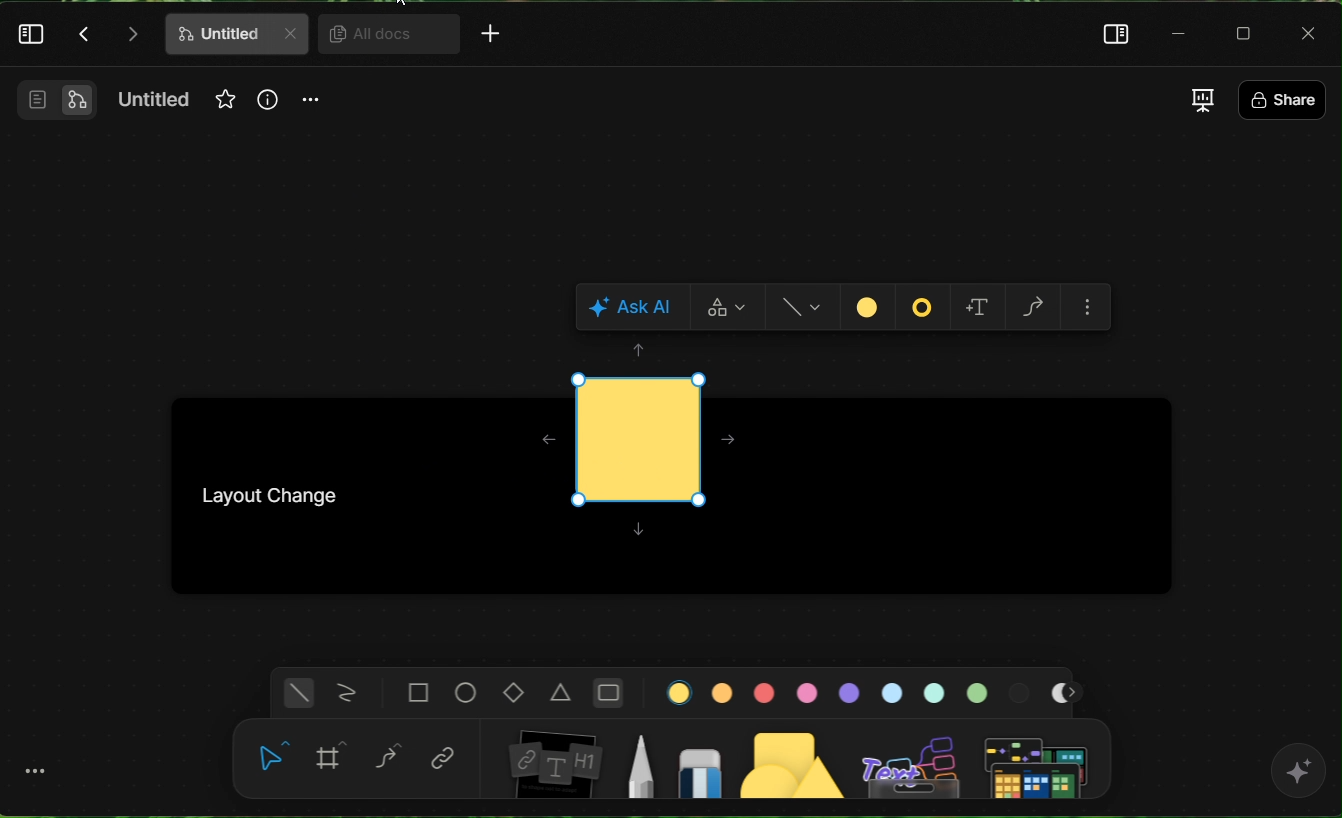 The height and width of the screenshot is (818, 1342). I want to click on Switch, so click(50, 106).